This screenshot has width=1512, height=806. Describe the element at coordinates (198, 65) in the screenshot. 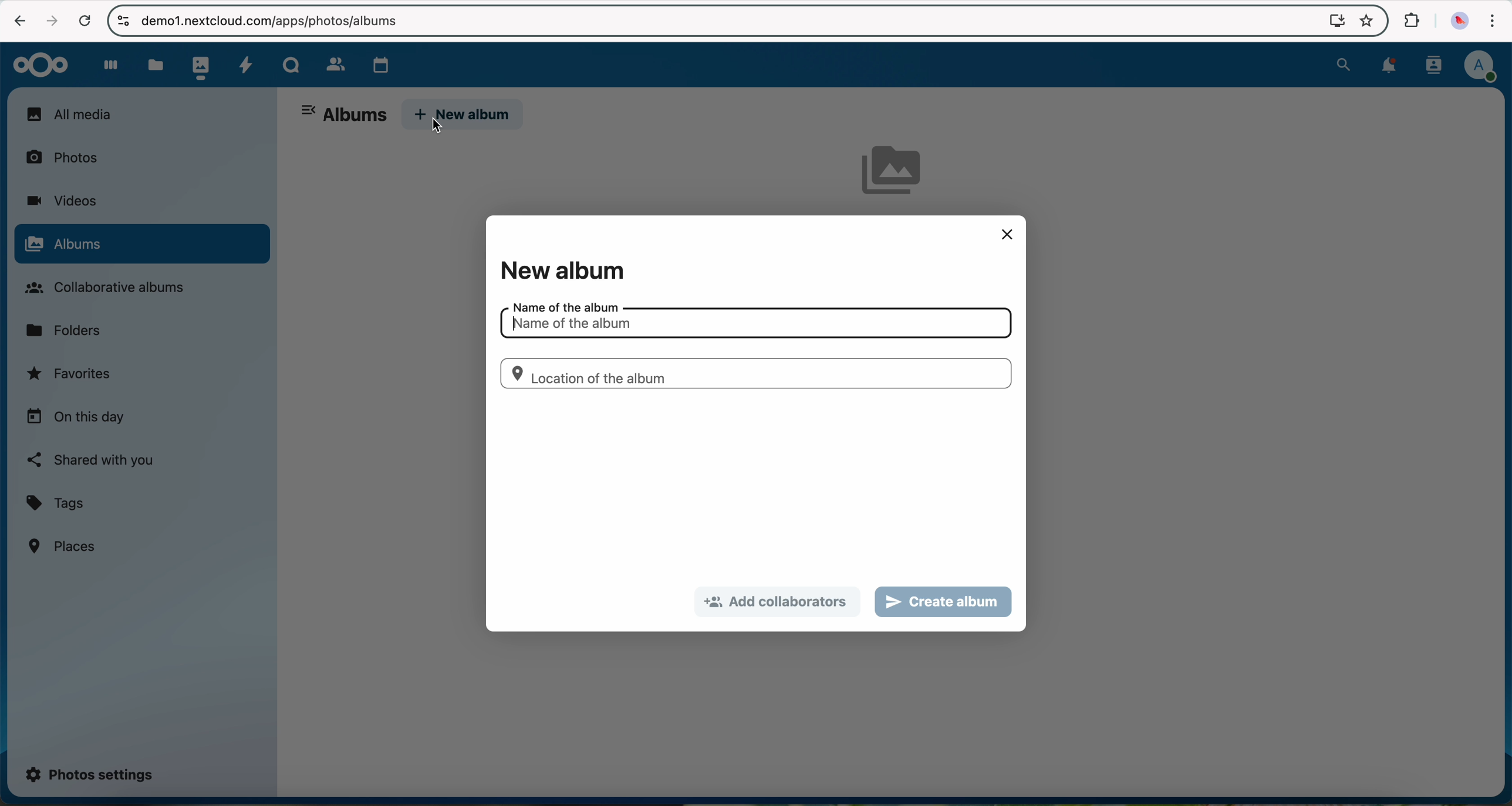

I see `photos` at that location.